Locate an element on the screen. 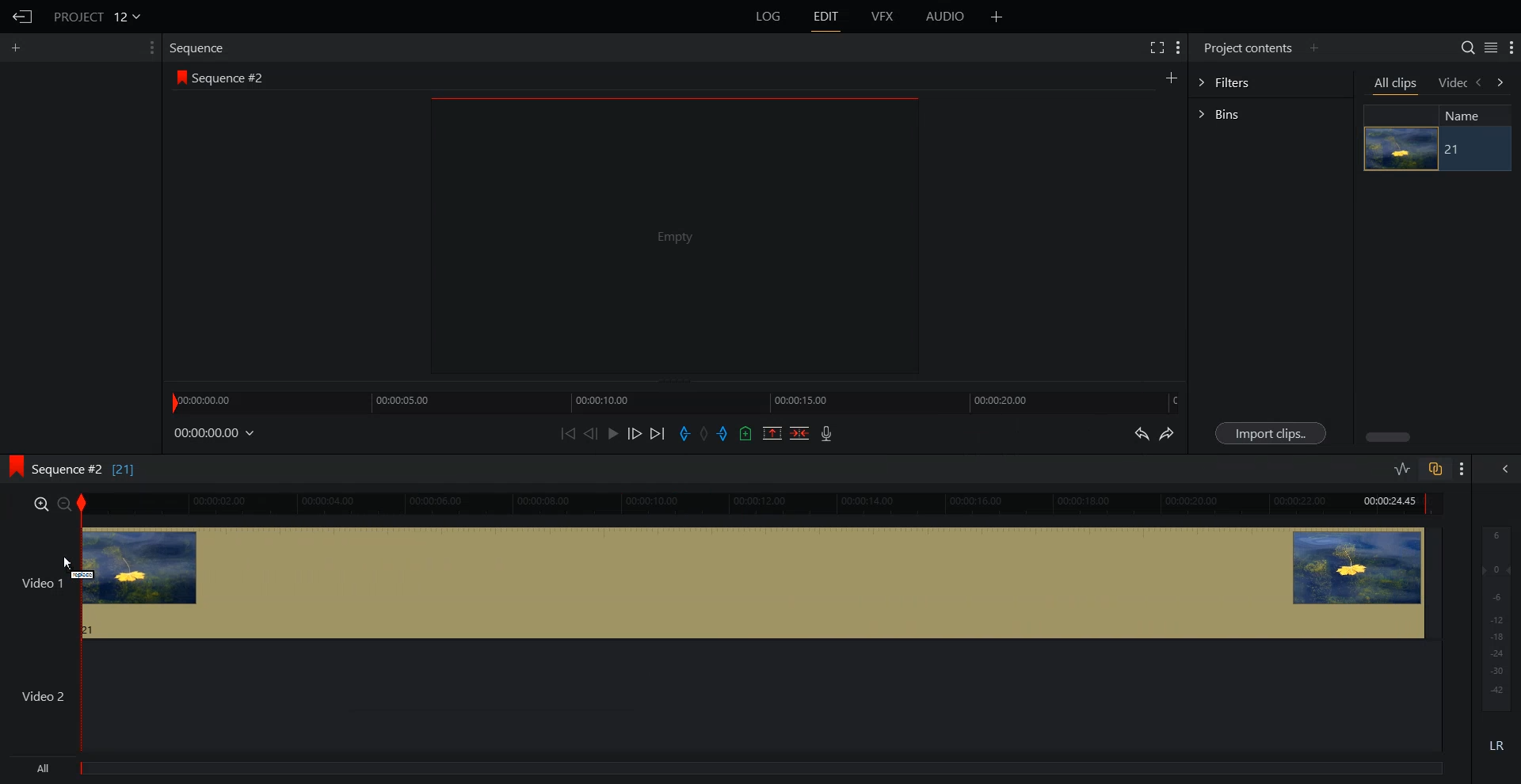  Sequence #2 is located at coordinates (233, 78).